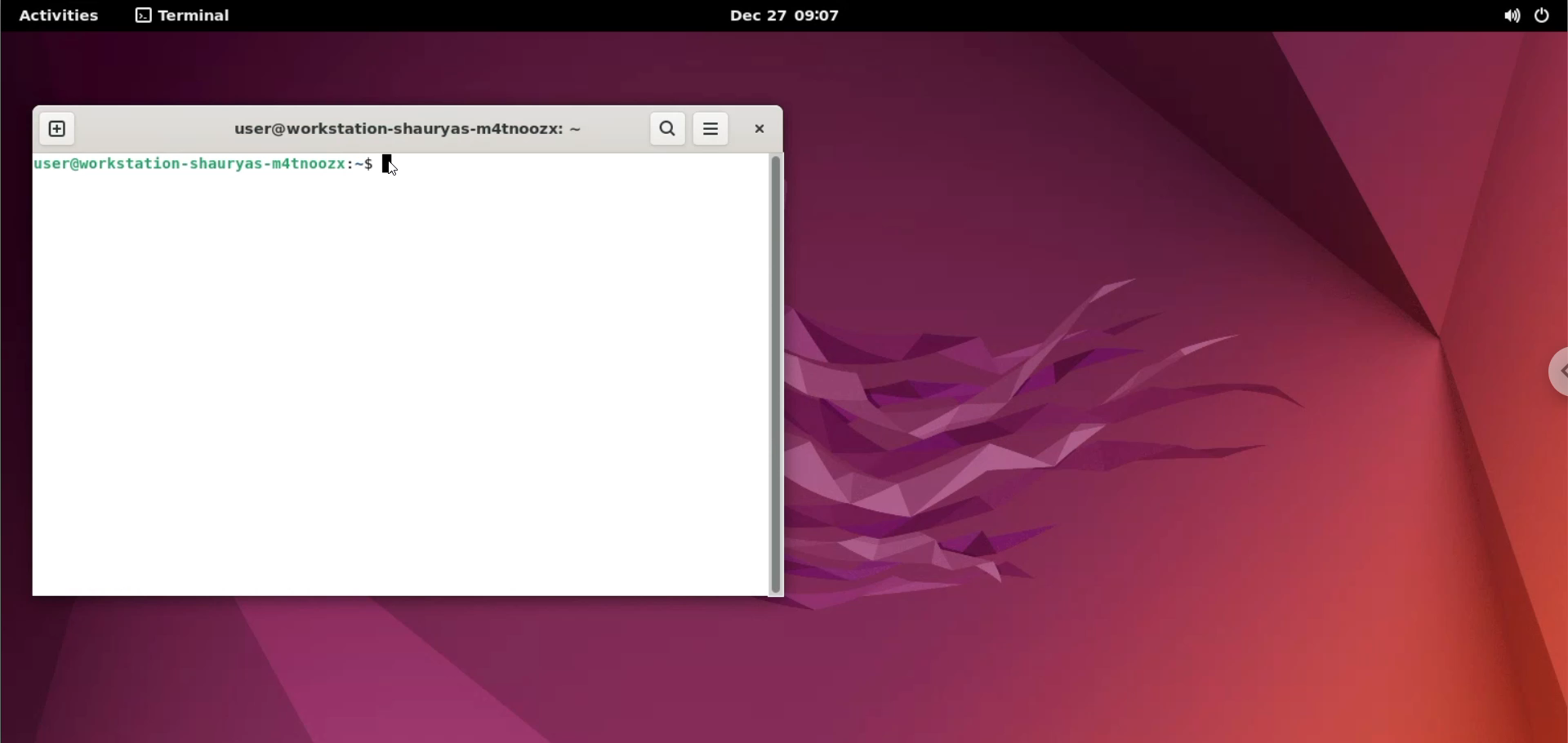  Describe the element at coordinates (714, 130) in the screenshot. I see `Hamburger` at that location.